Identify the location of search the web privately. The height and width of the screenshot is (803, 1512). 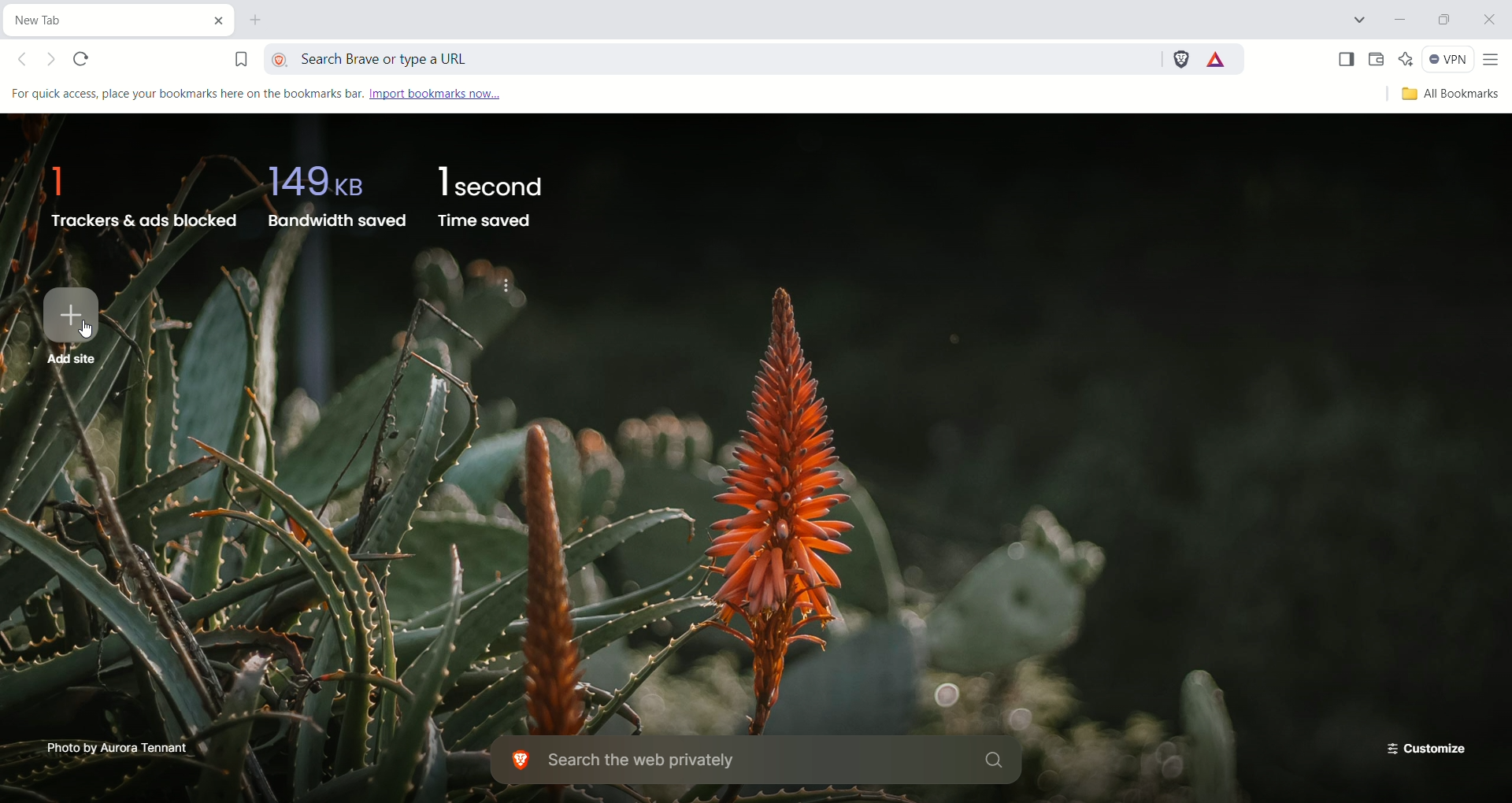
(757, 761).